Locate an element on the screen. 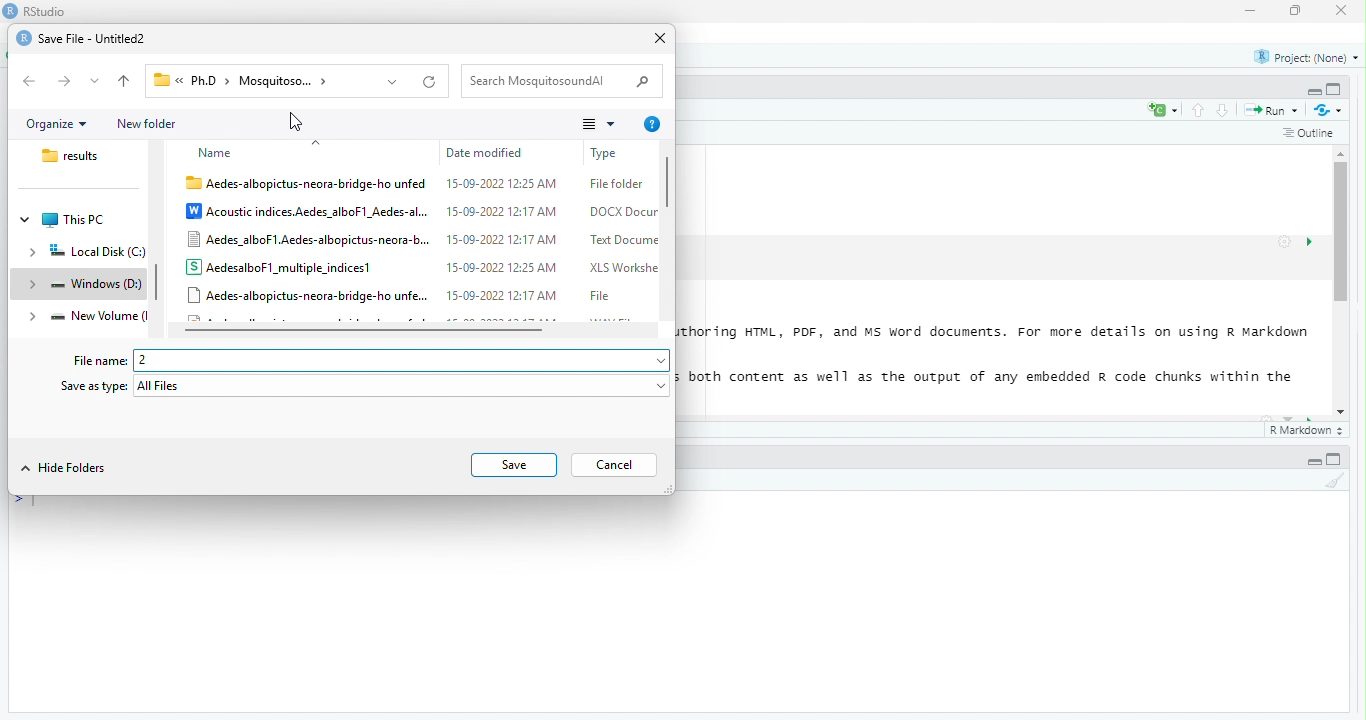  Settings is located at coordinates (1285, 242).